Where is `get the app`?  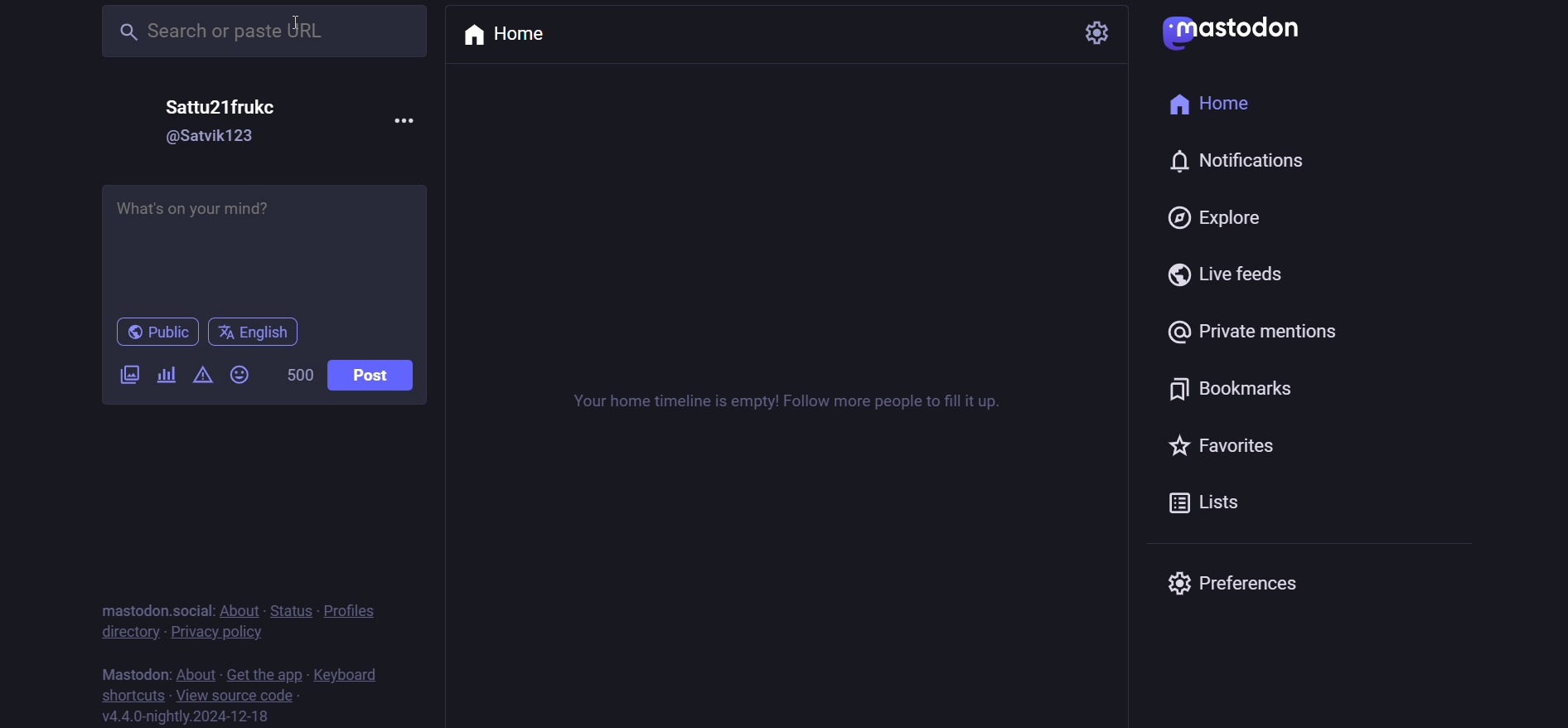 get the app is located at coordinates (260, 673).